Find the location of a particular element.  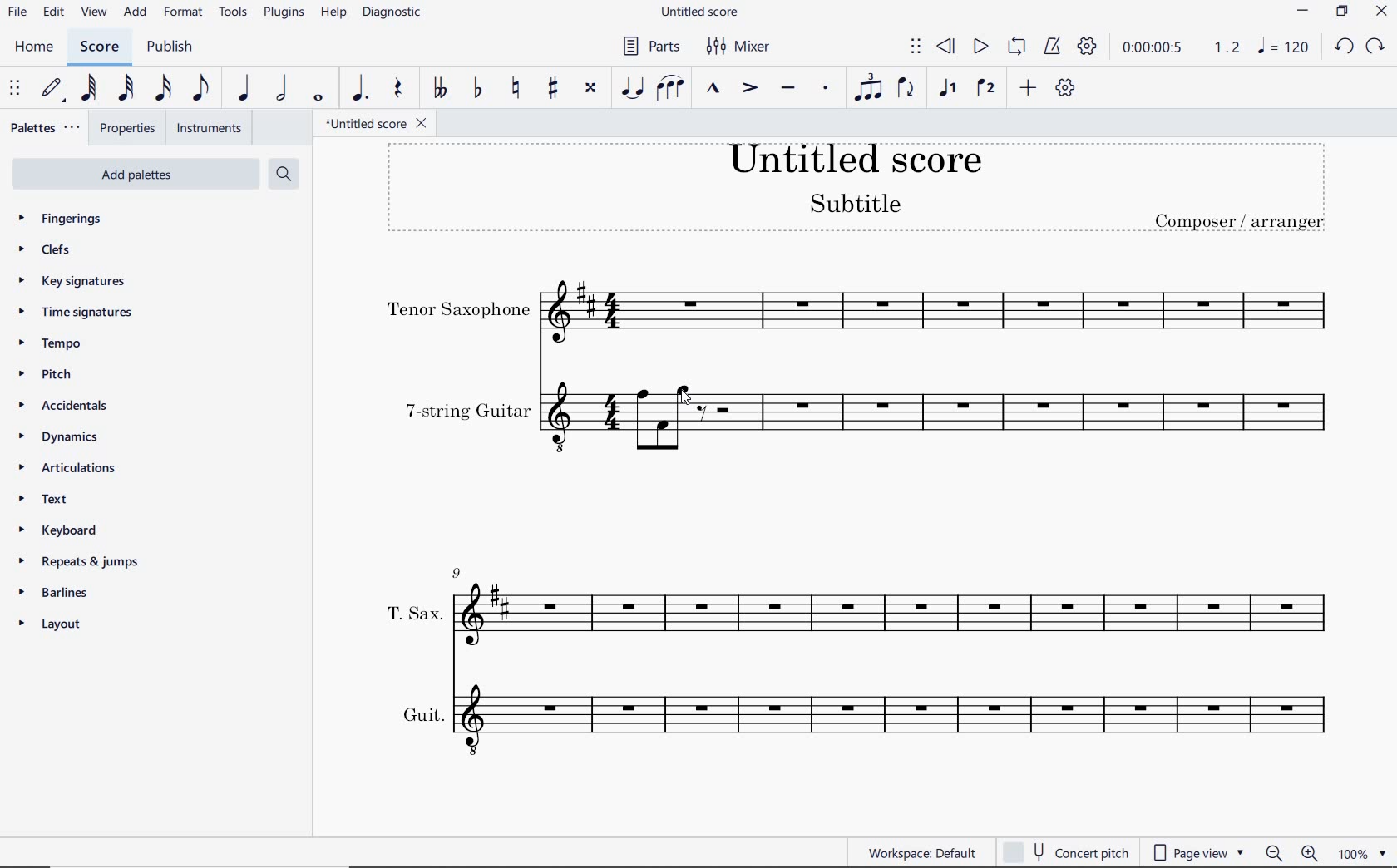

INSTRUMENT: T.SAX is located at coordinates (858, 606).